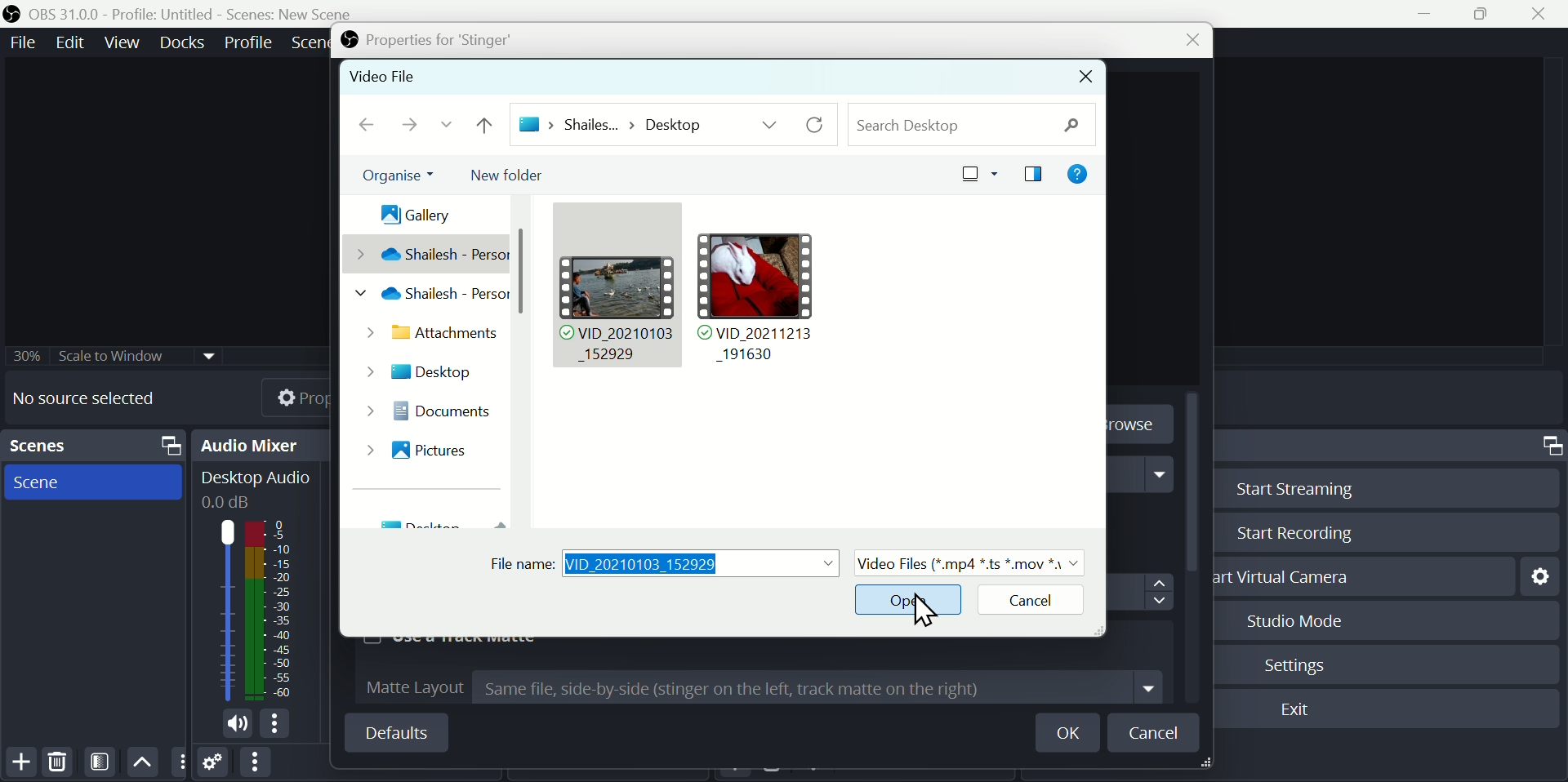 The height and width of the screenshot is (782, 1568). What do you see at coordinates (1539, 575) in the screenshot?
I see `Settings` at bounding box center [1539, 575].